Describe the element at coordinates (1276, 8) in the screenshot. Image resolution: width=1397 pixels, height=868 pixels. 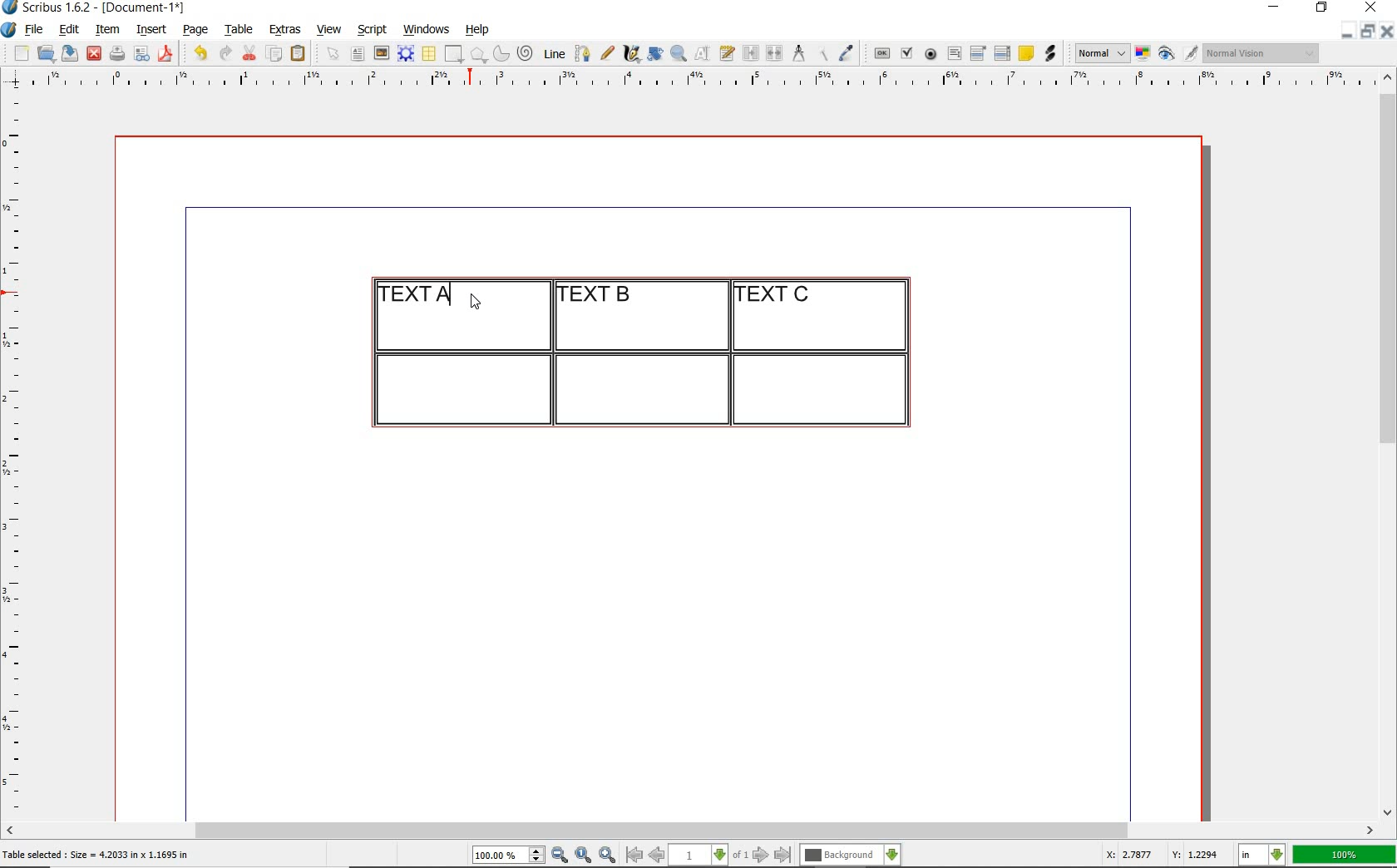
I see `minimize` at that location.